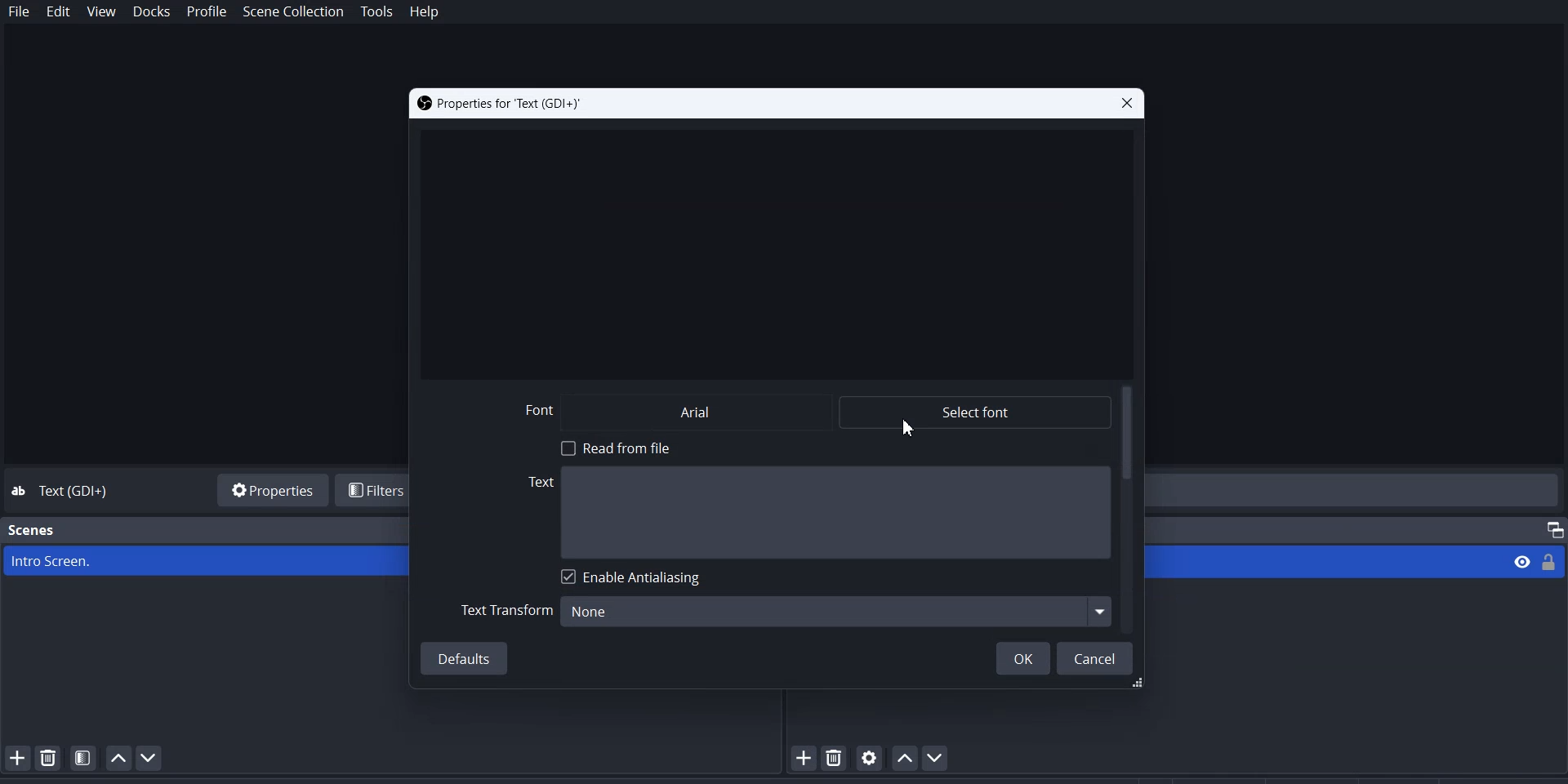  I want to click on Properties, so click(269, 488).